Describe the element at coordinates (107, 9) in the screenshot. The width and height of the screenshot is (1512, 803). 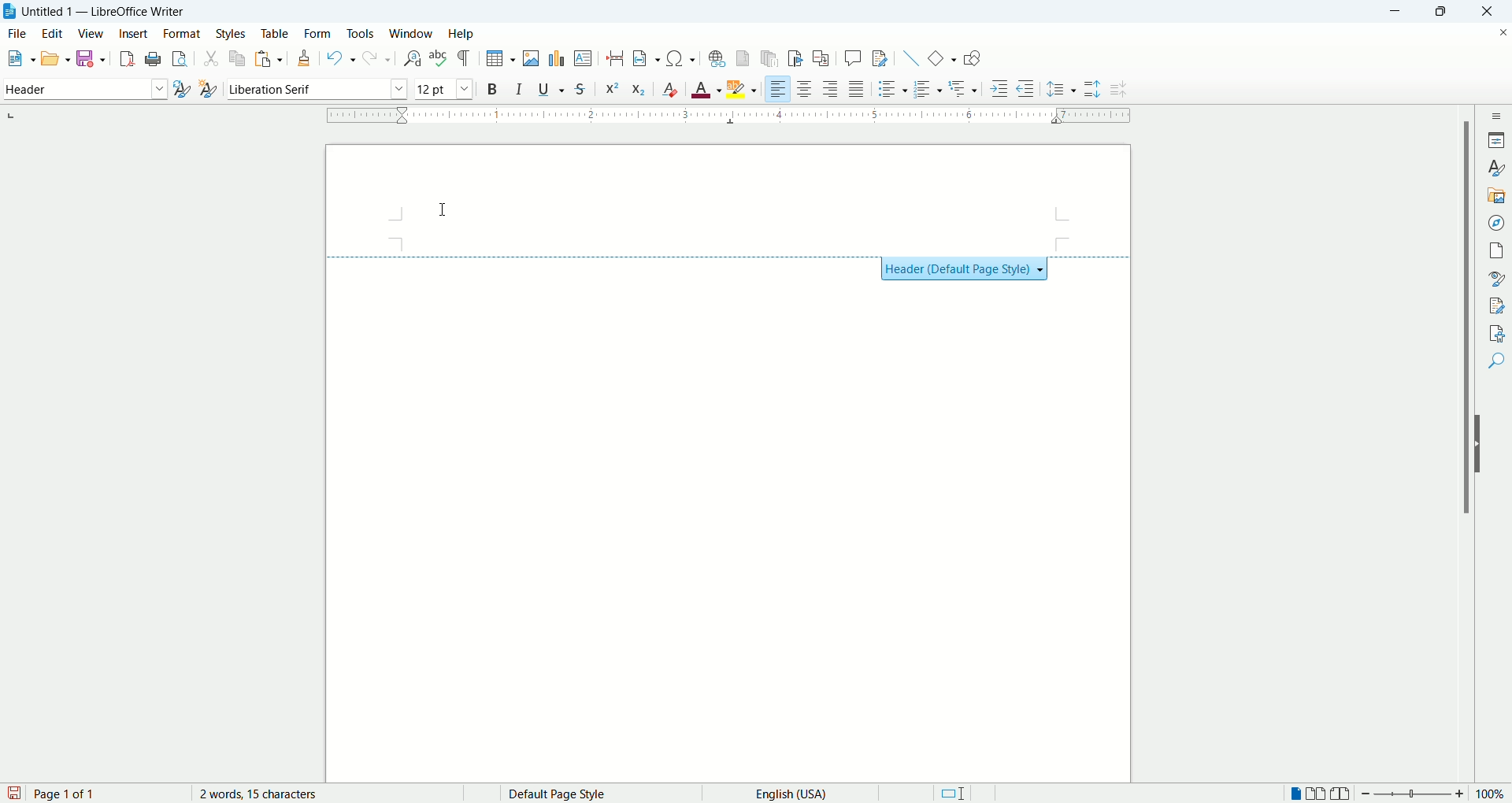
I see `Untitles 1 - LibreOffice Writer` at that location.